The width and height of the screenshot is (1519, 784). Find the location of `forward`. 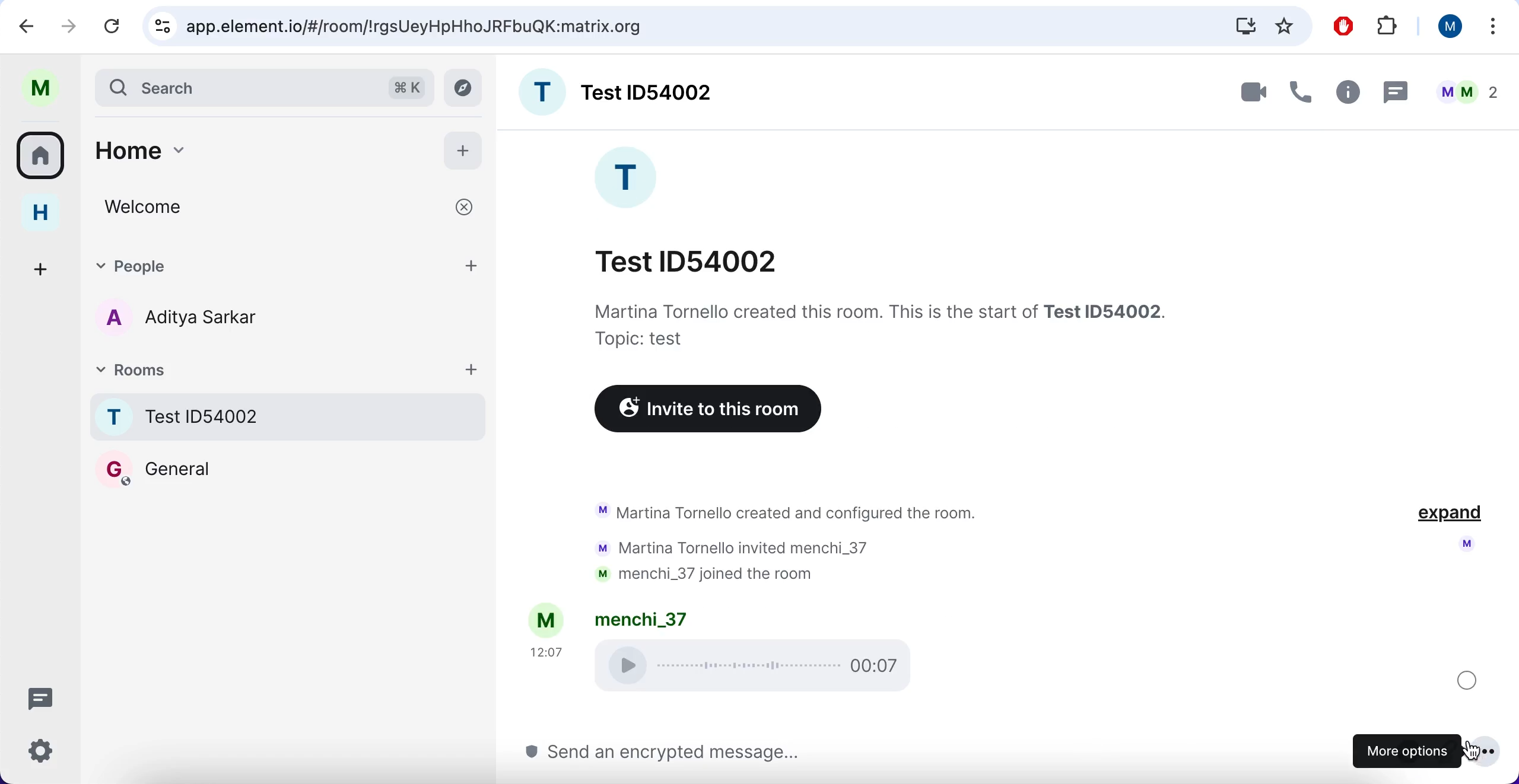

forward is located at coordinates (69, 24).